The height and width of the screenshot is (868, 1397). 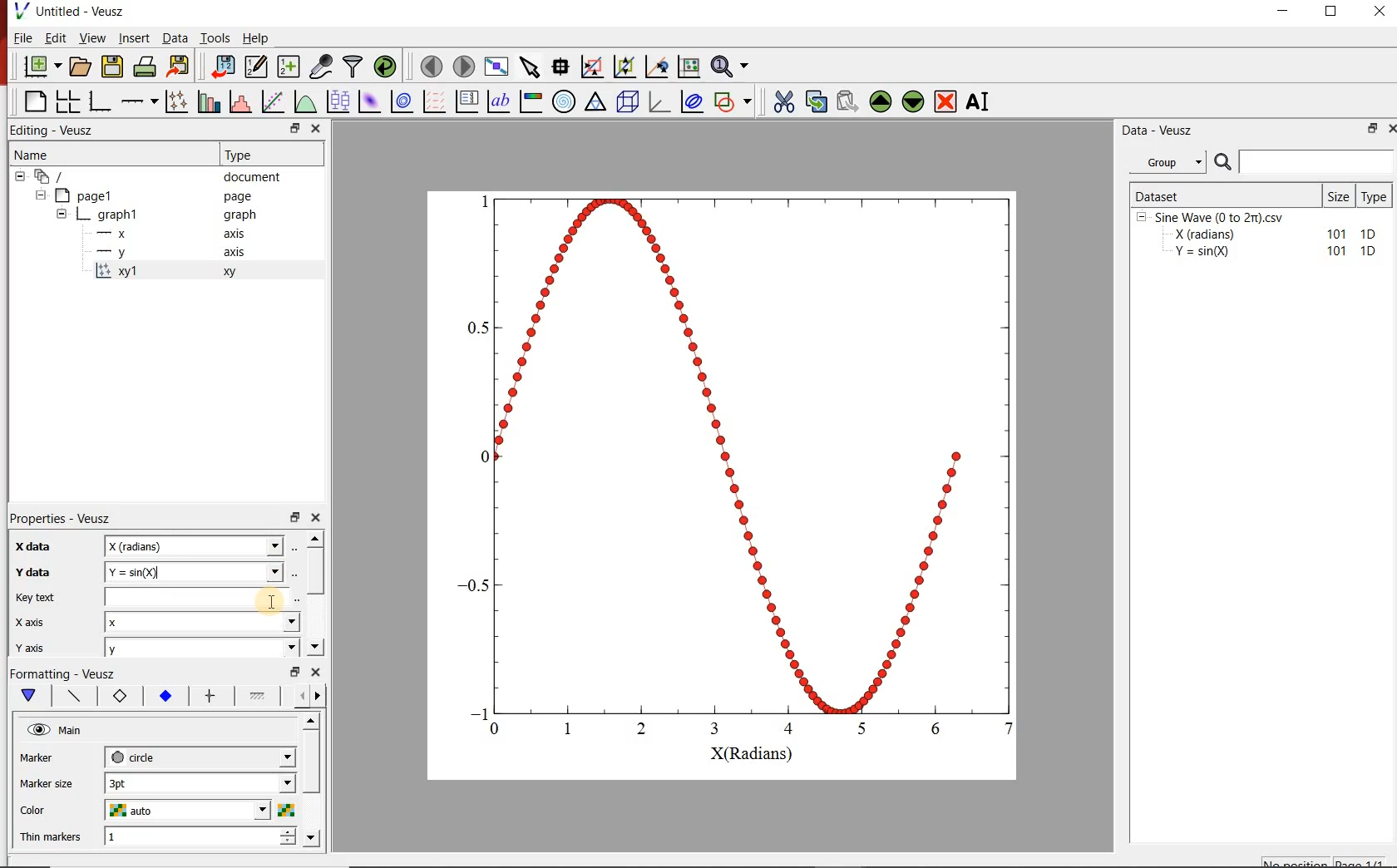 What do you see at coordinates (691, 101) in the screenshot?
I see `plot covariance ellipses` at bounding box center [691, 101].